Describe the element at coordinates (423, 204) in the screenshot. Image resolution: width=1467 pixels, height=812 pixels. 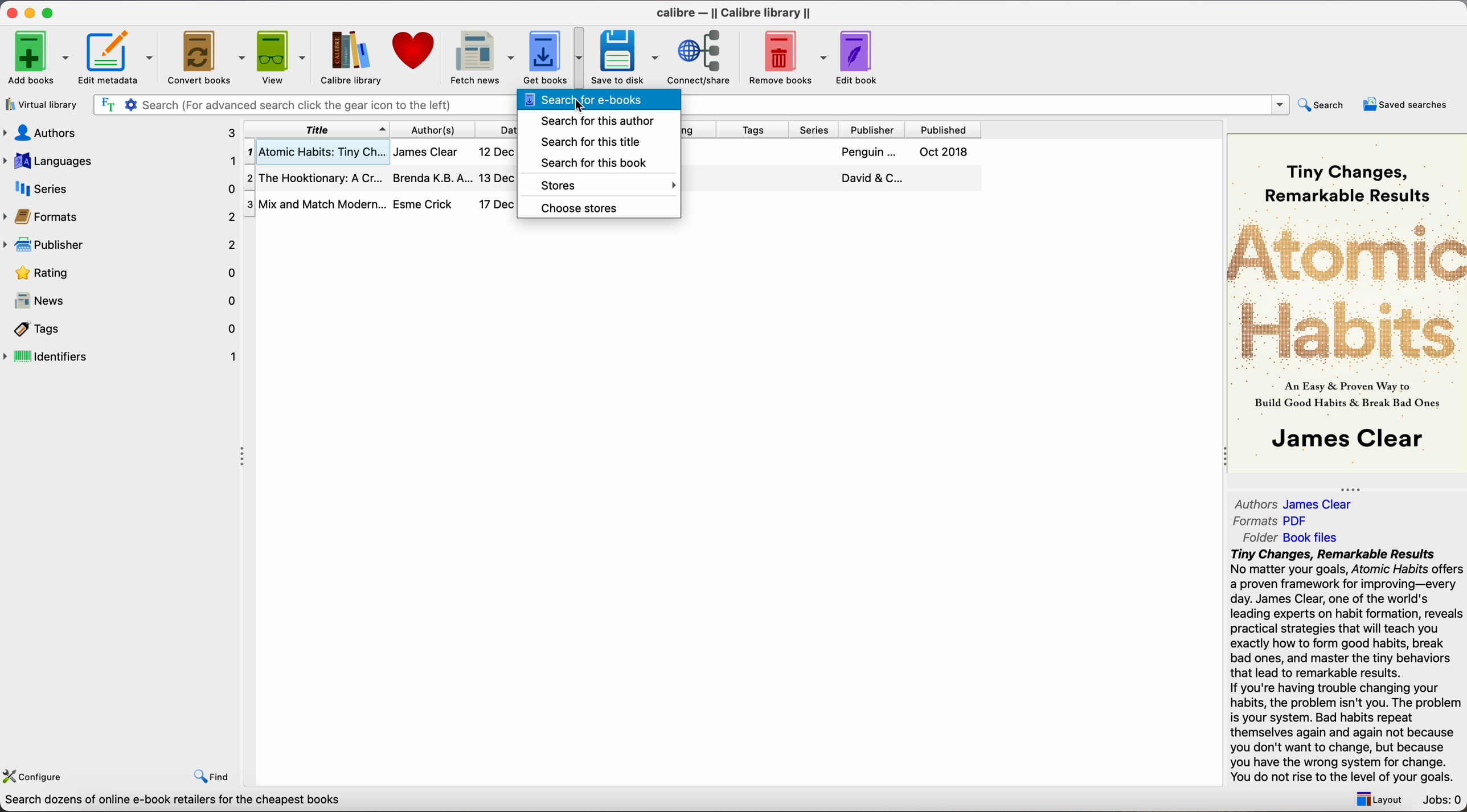
I see `Esme Crick` at that location.